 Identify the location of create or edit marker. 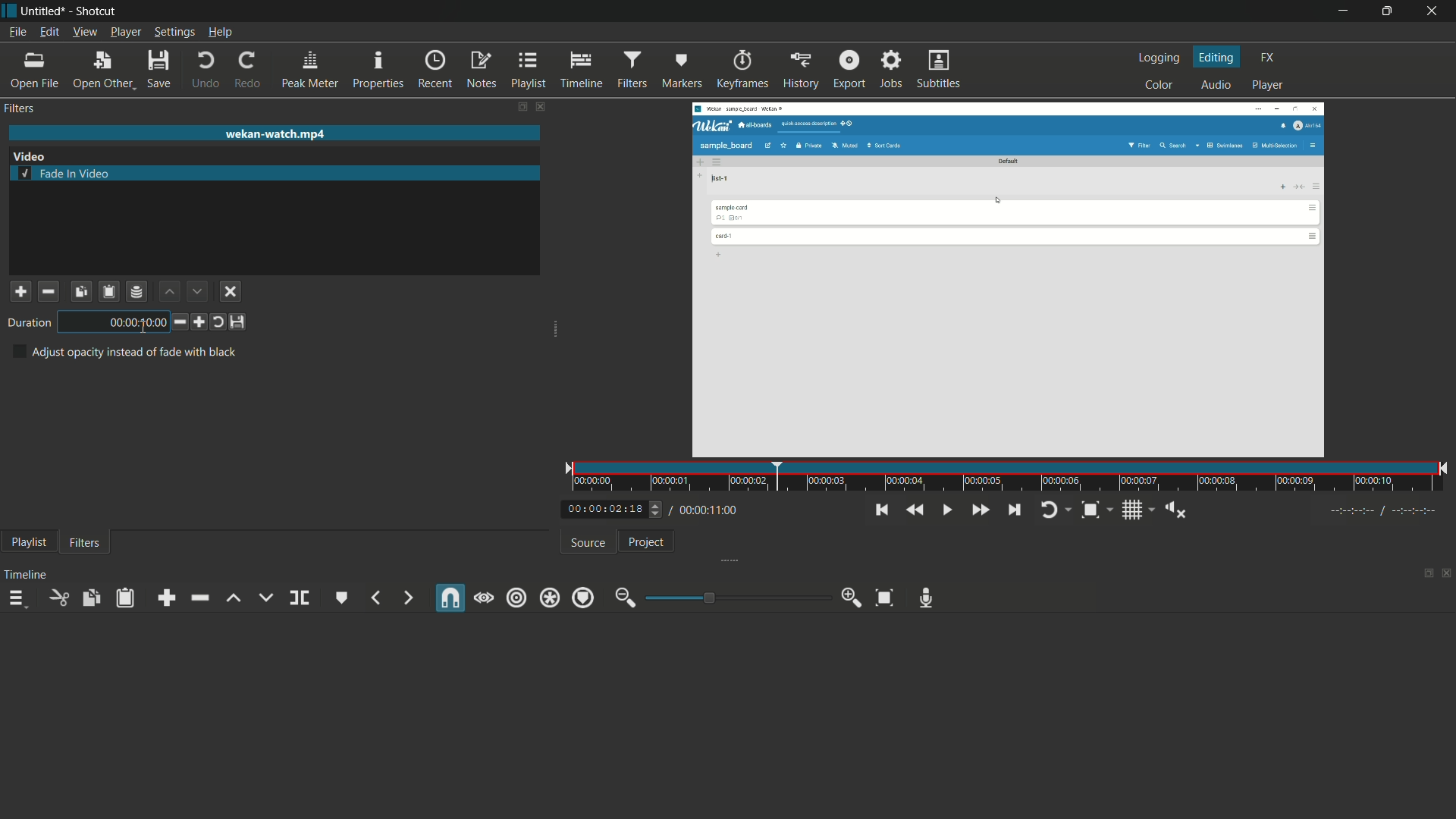
(342, 598).